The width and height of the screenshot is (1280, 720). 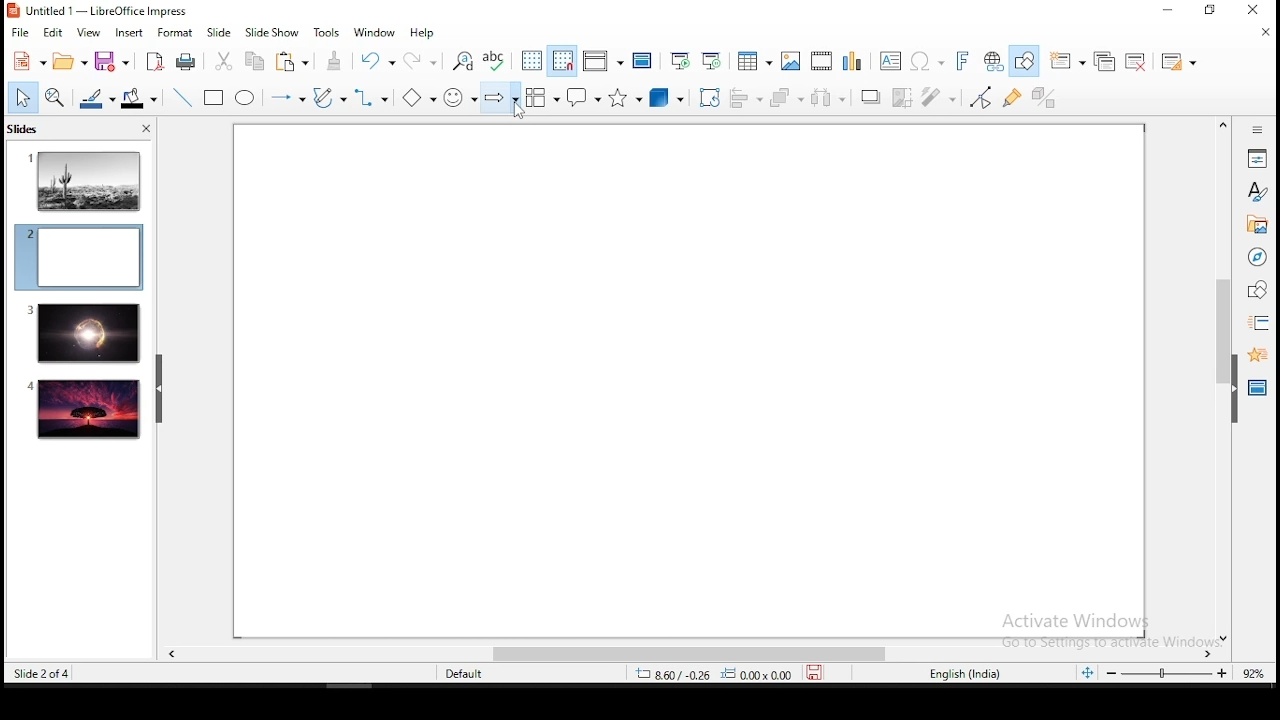 What do you see at coordinates (424, 33) in the screenshot?
I see `help` at bounding box center [424, 33].